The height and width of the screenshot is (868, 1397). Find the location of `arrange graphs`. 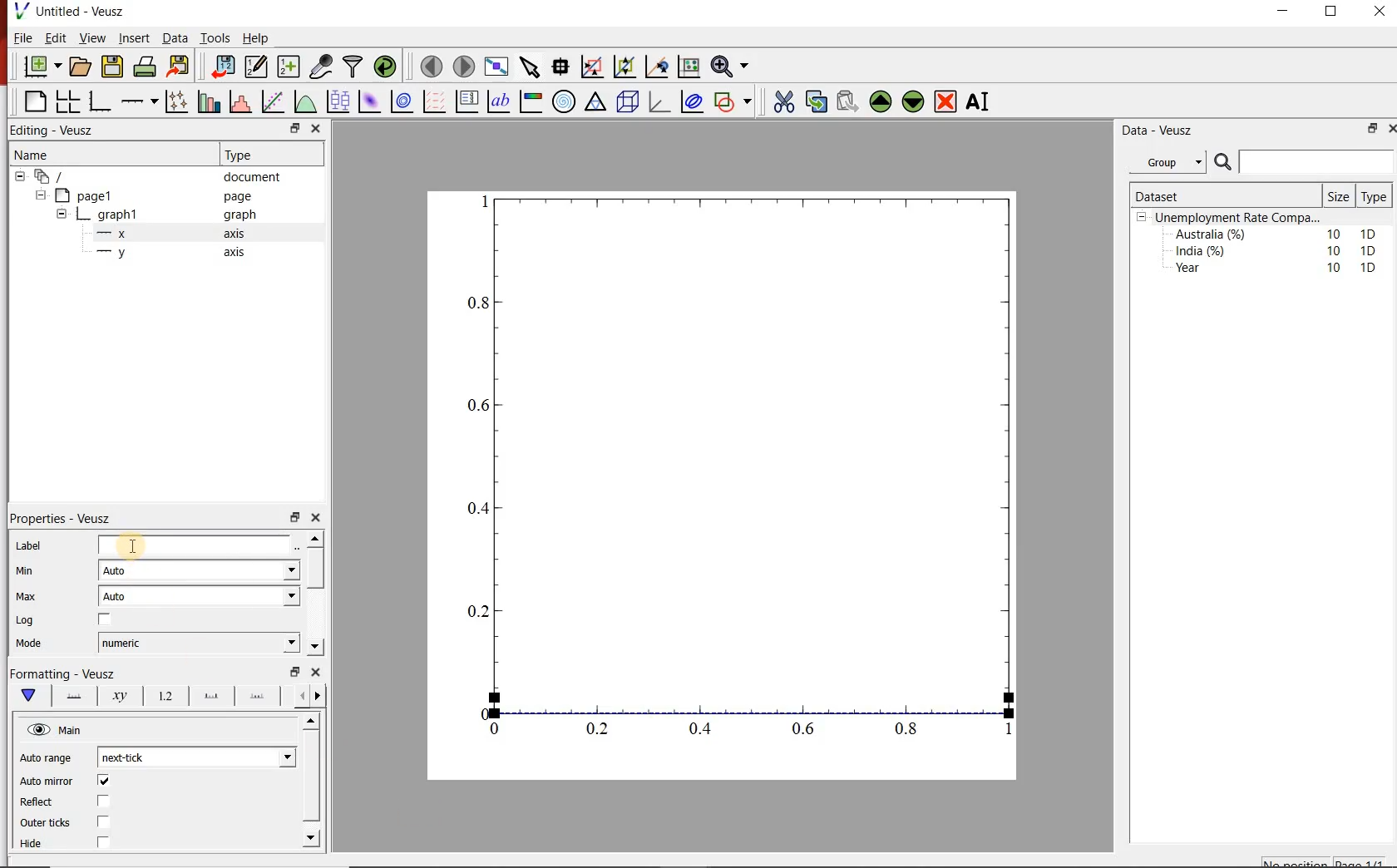

arrange graphs is located at coordinates (67, 101).